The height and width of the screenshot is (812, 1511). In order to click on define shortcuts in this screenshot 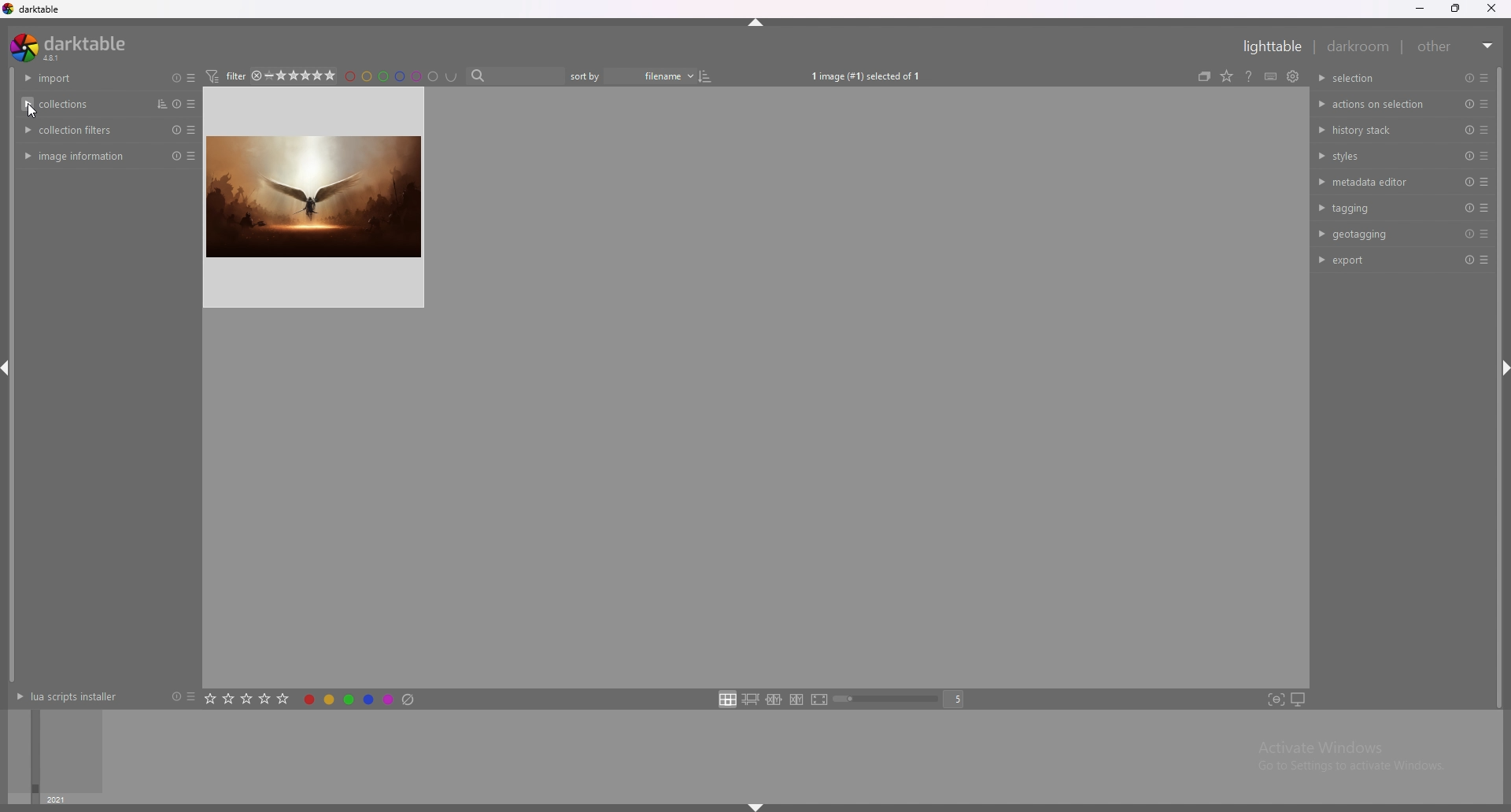, I will do `click(1289, 76)`.